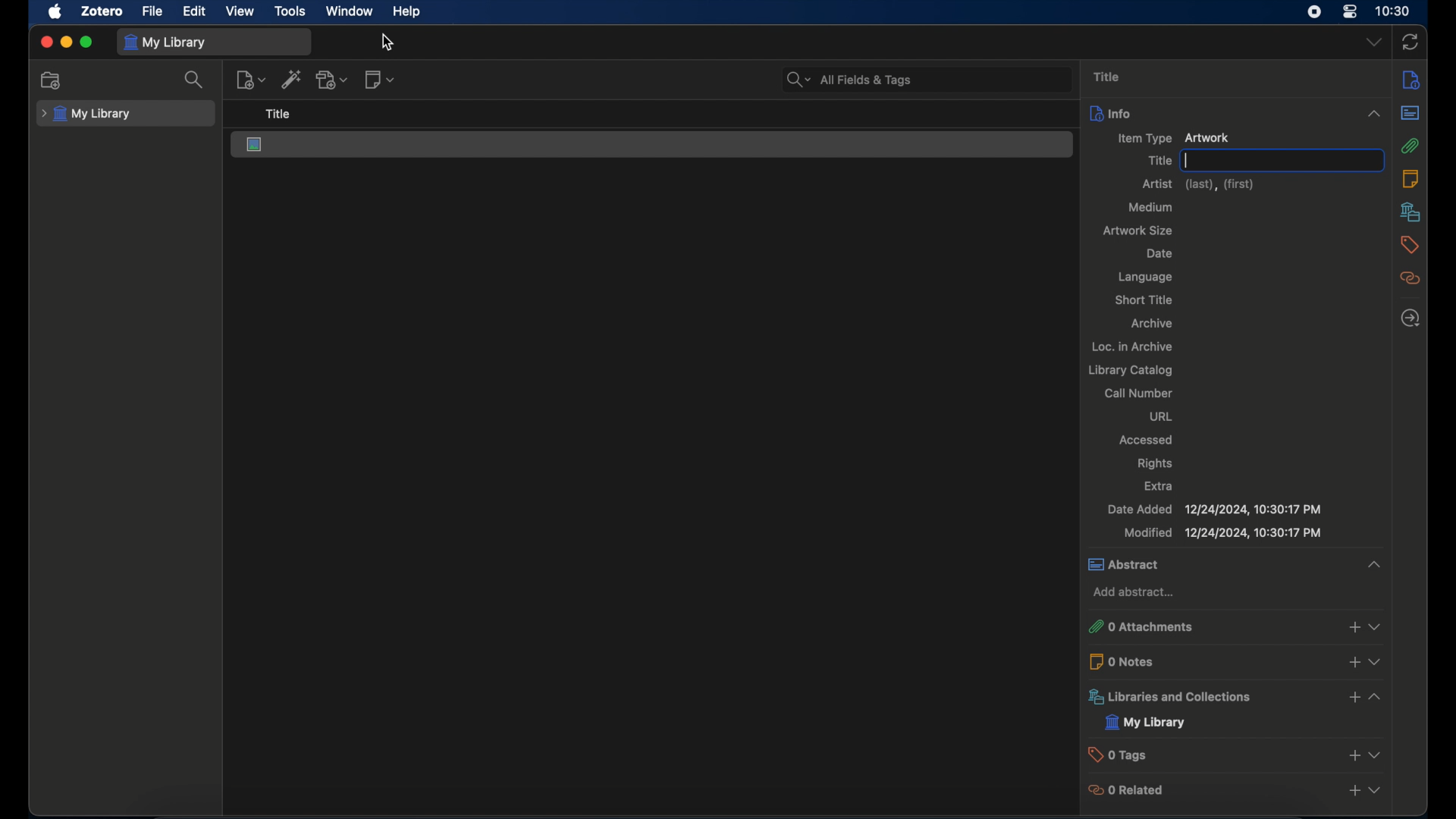 The width and height of the screenshot is (1456, 819). Describe the element at coordinates (1145, 790) in the screenshot. I see `0 related` at that location.